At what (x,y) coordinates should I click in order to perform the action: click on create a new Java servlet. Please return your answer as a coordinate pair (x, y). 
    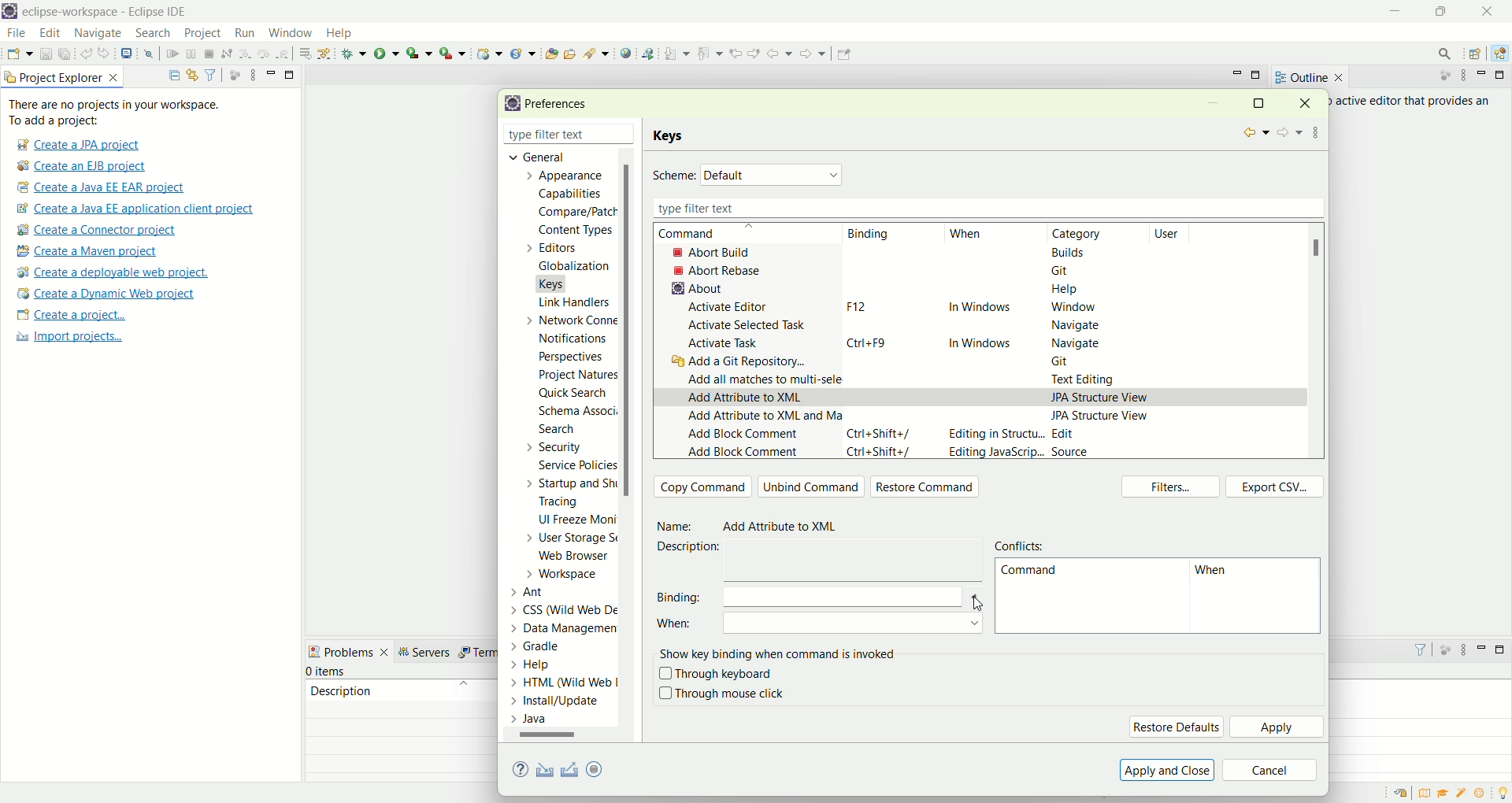
    Looking at the image, I should click on (527, 54).